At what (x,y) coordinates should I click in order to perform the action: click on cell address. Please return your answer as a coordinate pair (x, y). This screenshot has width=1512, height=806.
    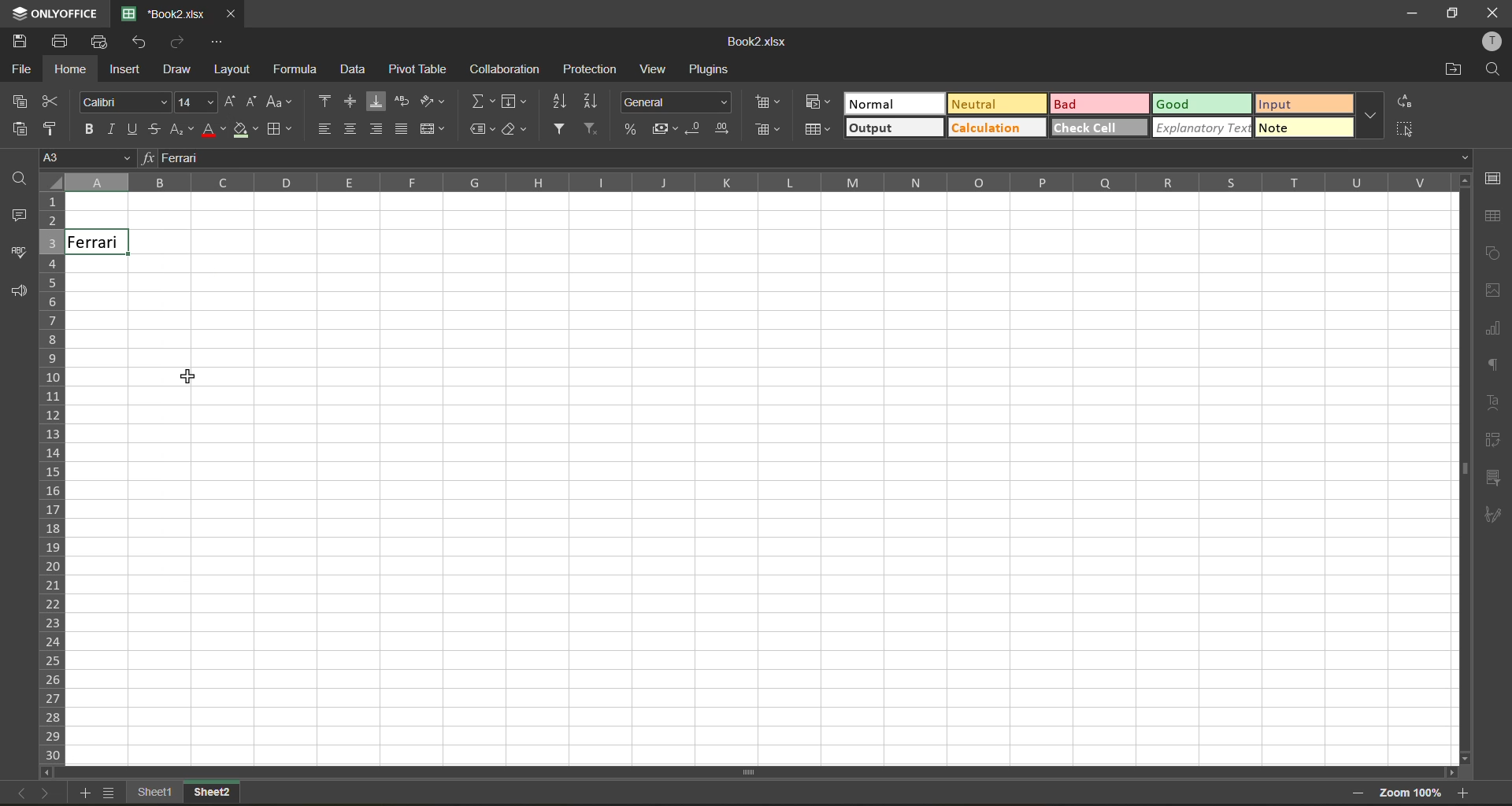
    Looking at the image, I should click on (86, 158).